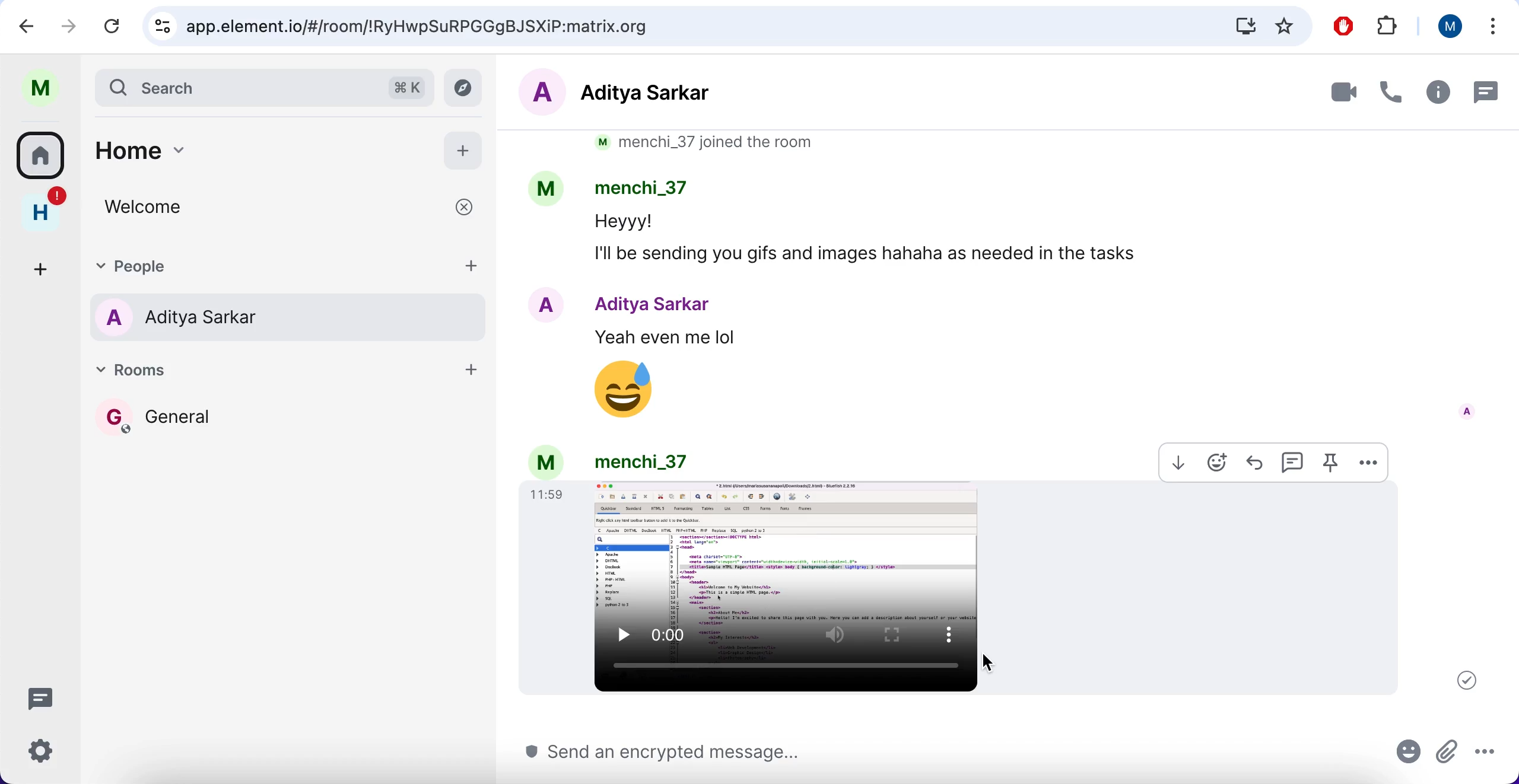 The height and width of the screenshot is (784, 1519). I want to click on reload current page, so click(115, 25).